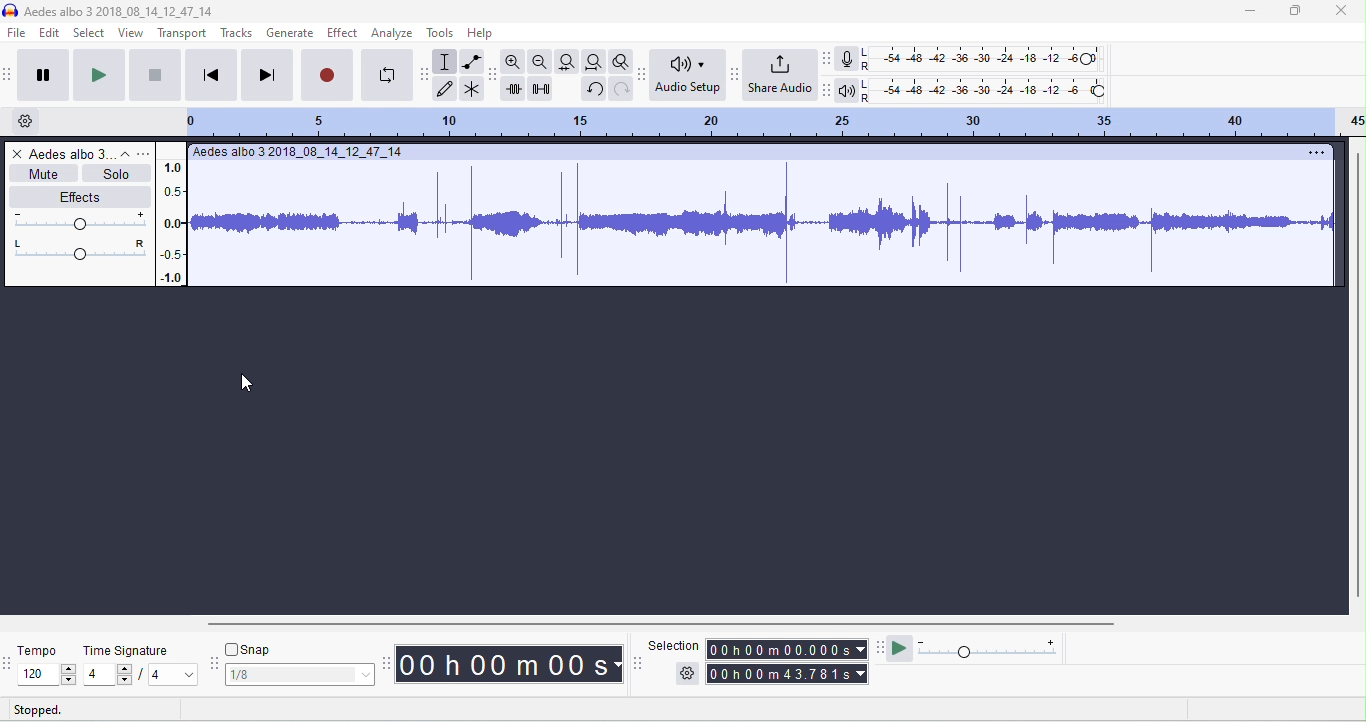 The image size is (1366, 722). What do you see at coordinates (289, 33) in the screenshot?
I see `generate` at bounding box center [289, 33].